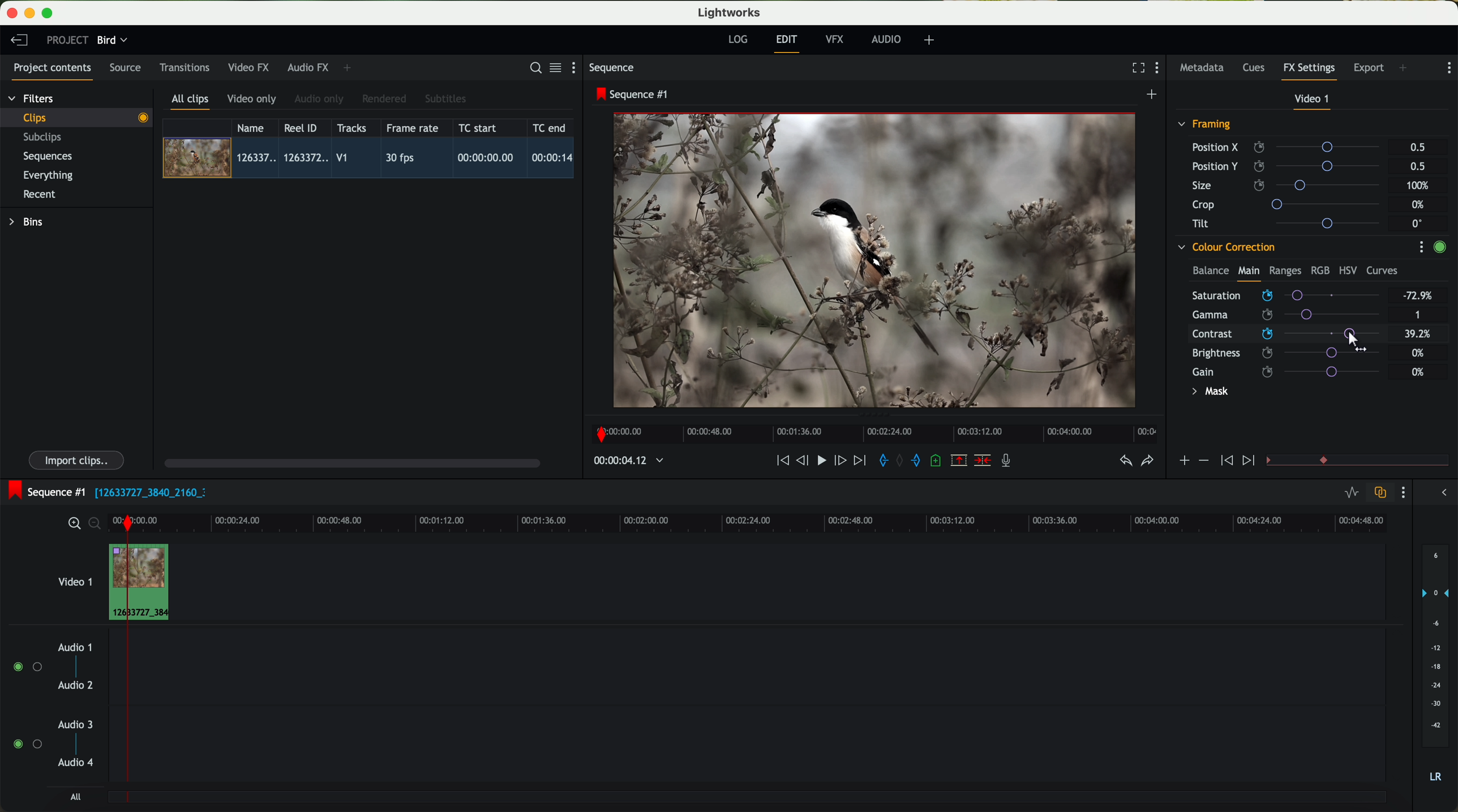 This screenshot has width=1458, height=812. Describe the element at coordinates (1418, 316) in the screenshot. I see `1` at that location.